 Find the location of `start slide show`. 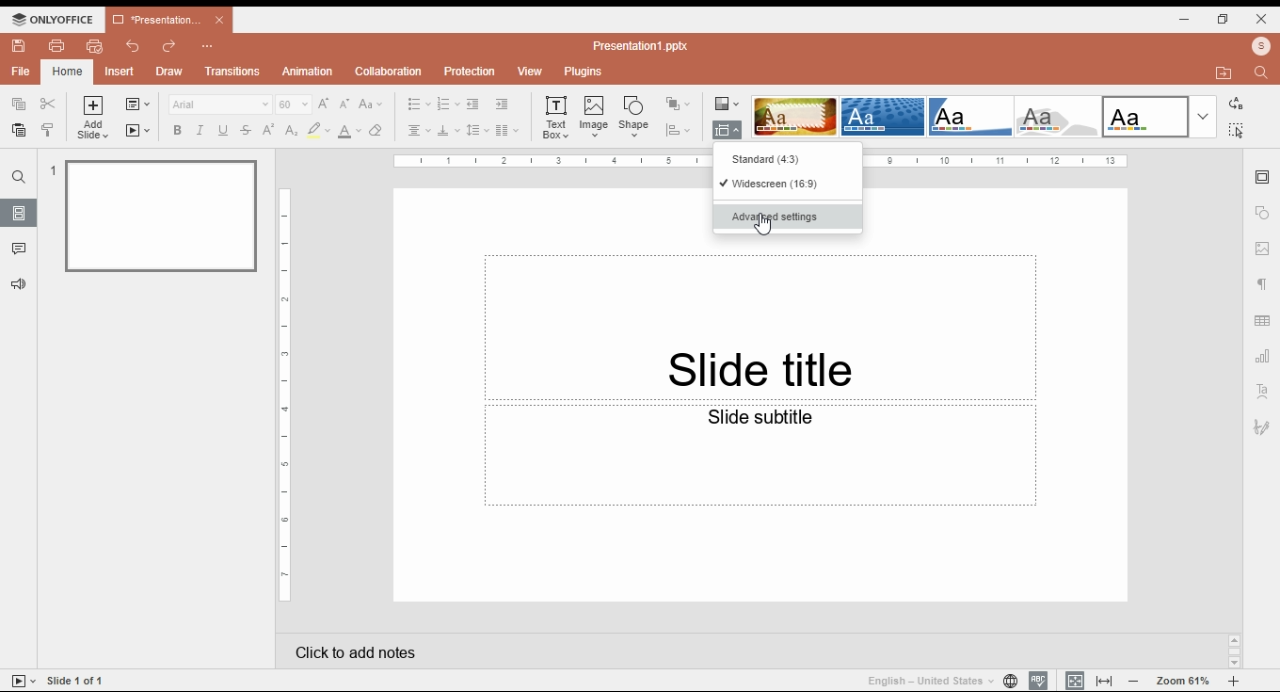

start slide show is located at coordinates (24, 681).